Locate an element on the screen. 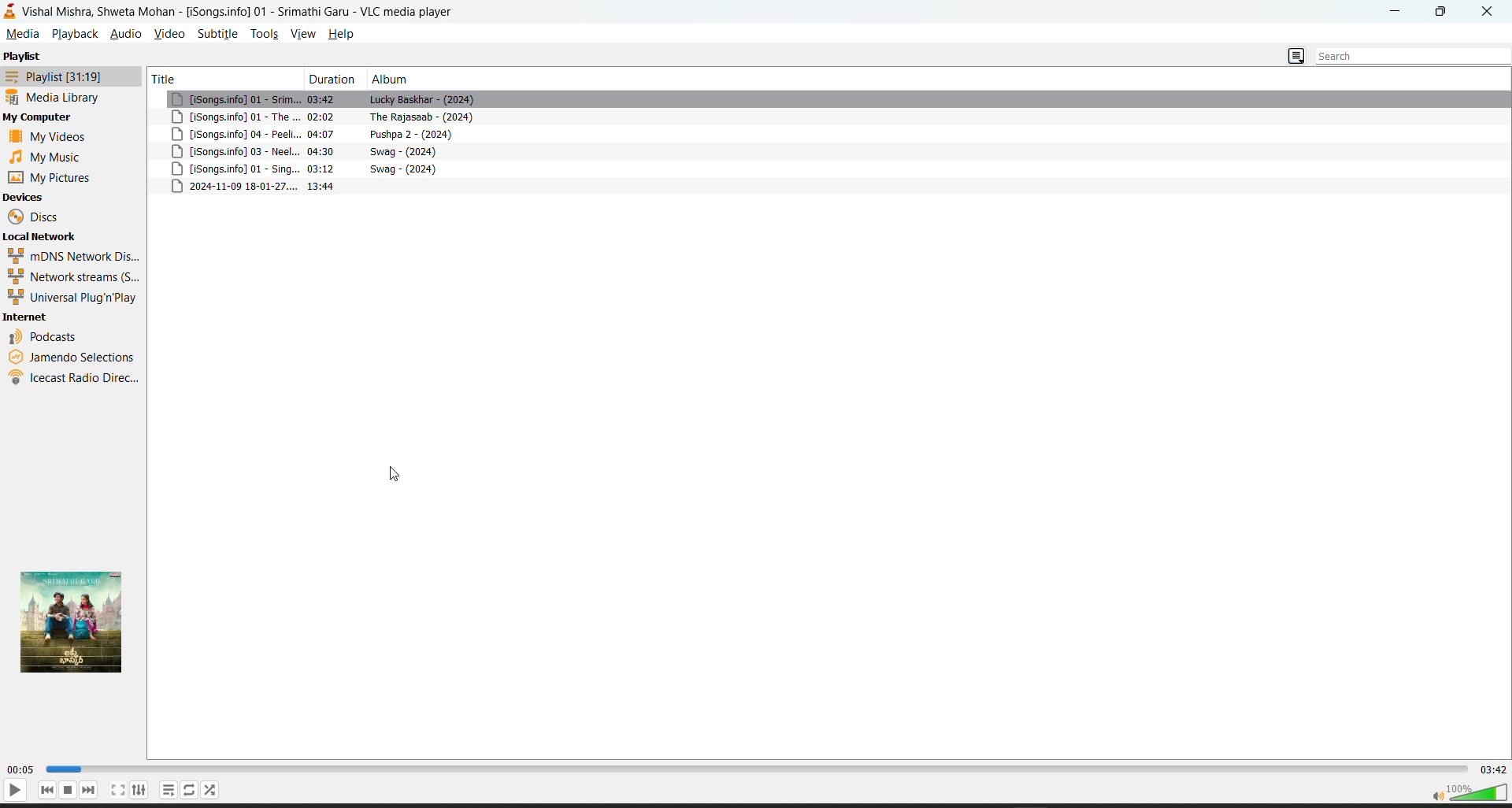 The width and height of the screenshot is (1512, 808). jamendo selections is located at coordinates (74, 357).